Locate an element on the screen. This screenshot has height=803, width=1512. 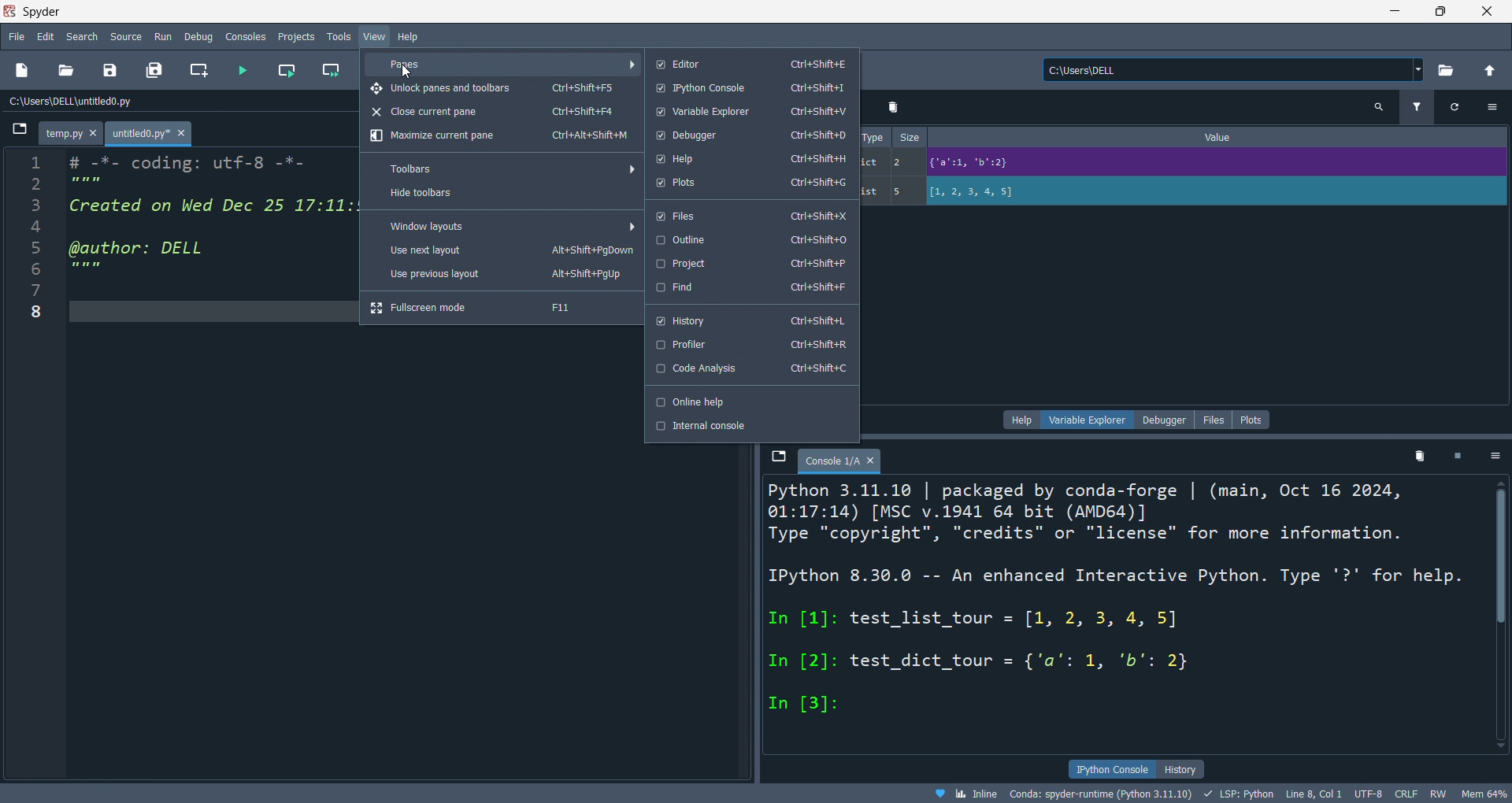
unlock panes and toolbars is located at coordinates (502, 88).